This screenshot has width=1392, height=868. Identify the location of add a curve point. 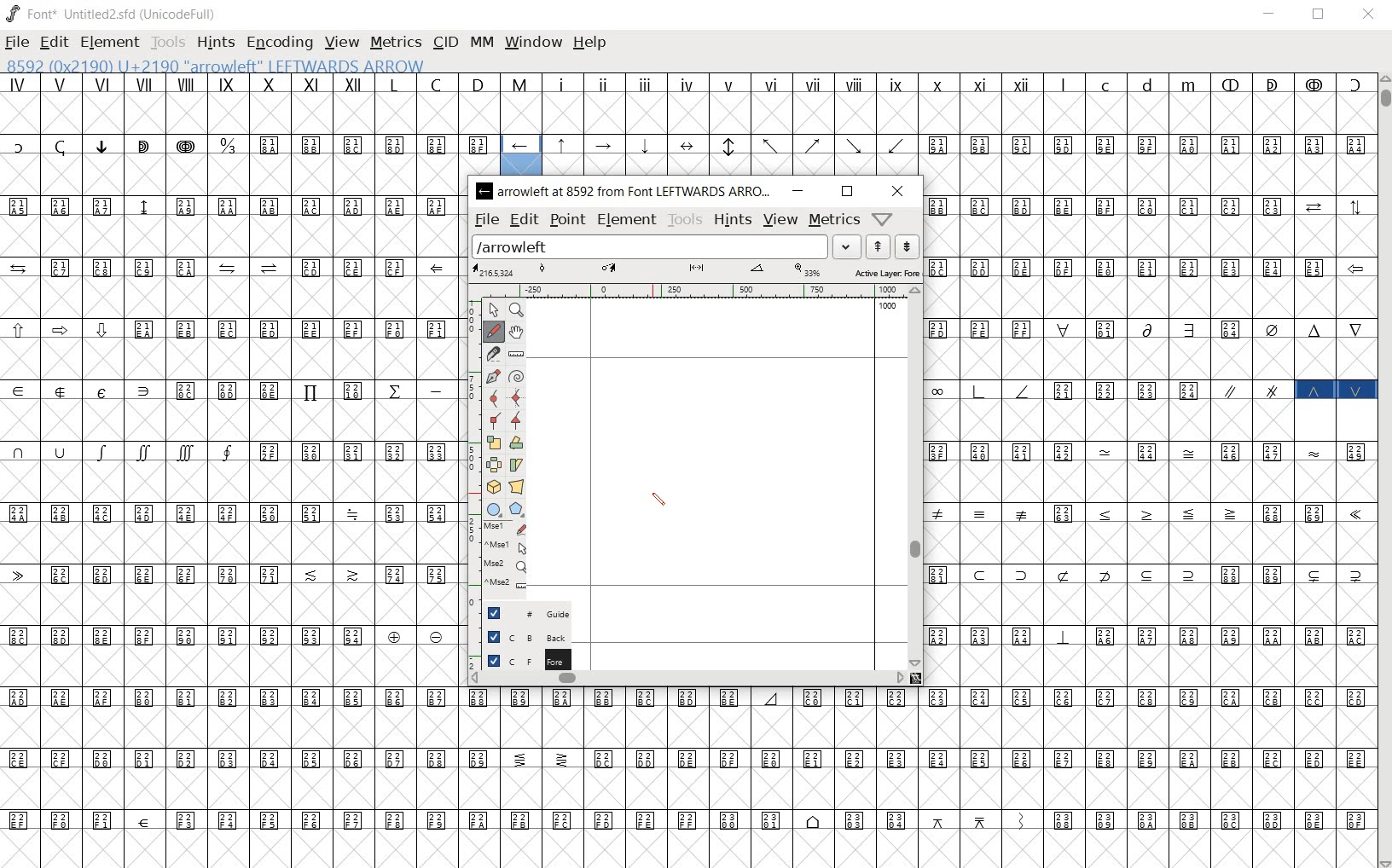
(492, 397).